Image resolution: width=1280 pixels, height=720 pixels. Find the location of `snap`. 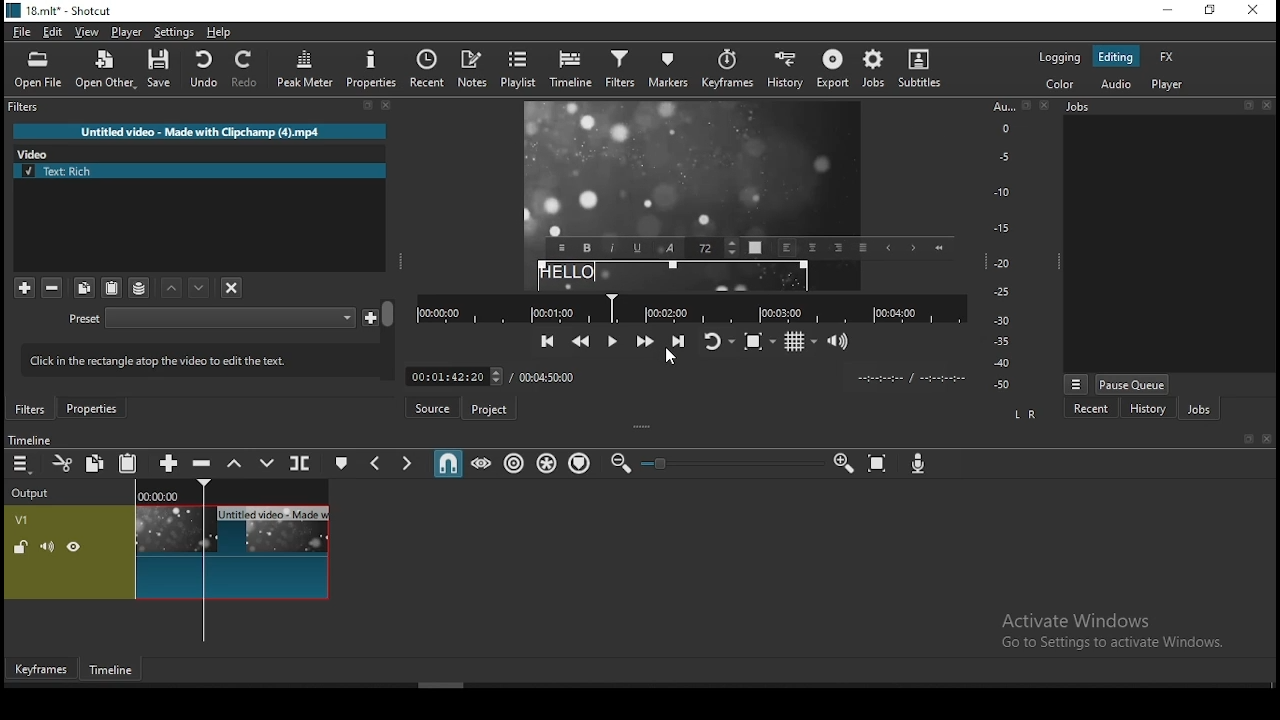

snap is located at coordinates (447, 461).